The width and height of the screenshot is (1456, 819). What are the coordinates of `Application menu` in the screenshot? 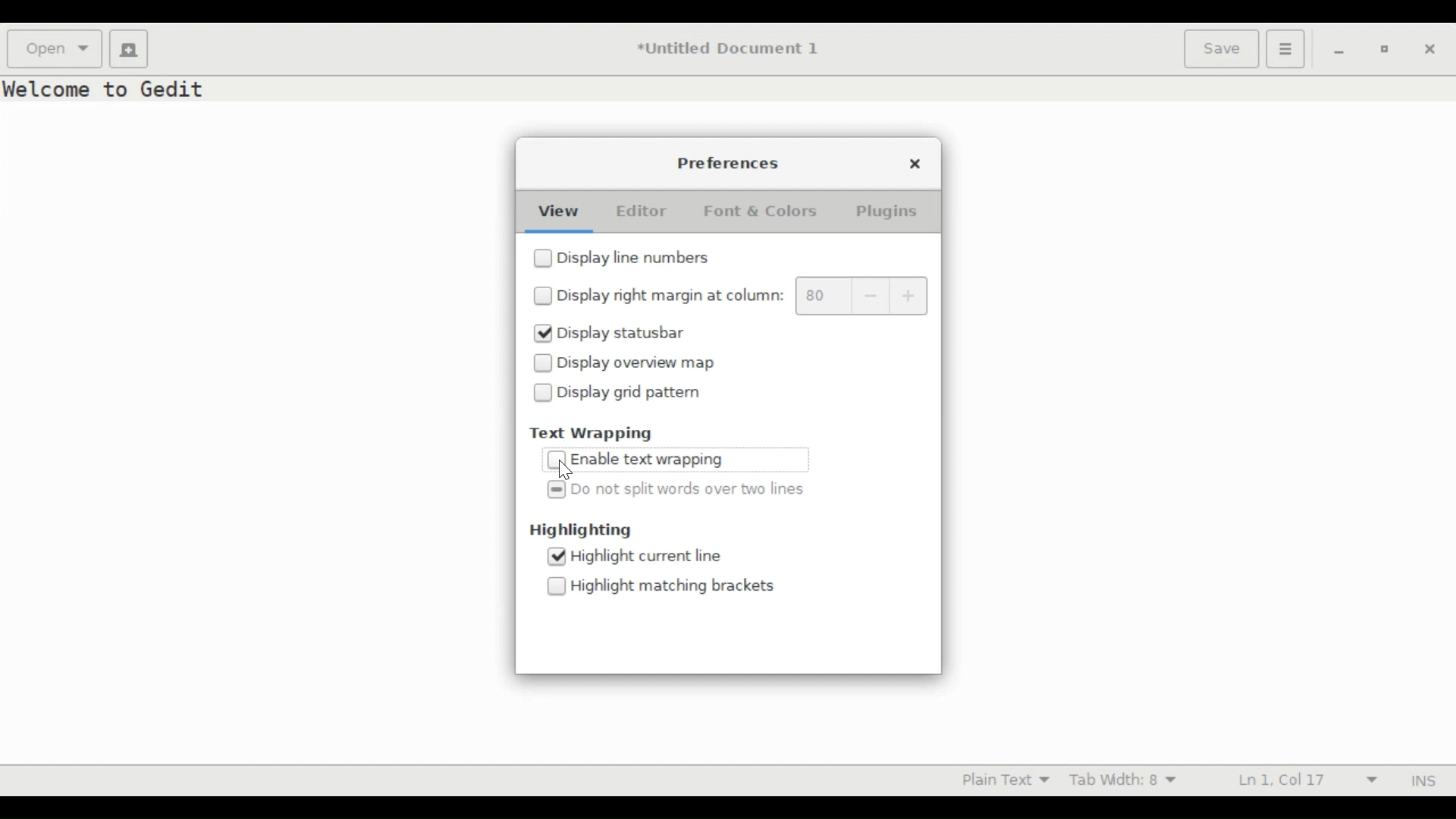 It's located at (1286, 49).